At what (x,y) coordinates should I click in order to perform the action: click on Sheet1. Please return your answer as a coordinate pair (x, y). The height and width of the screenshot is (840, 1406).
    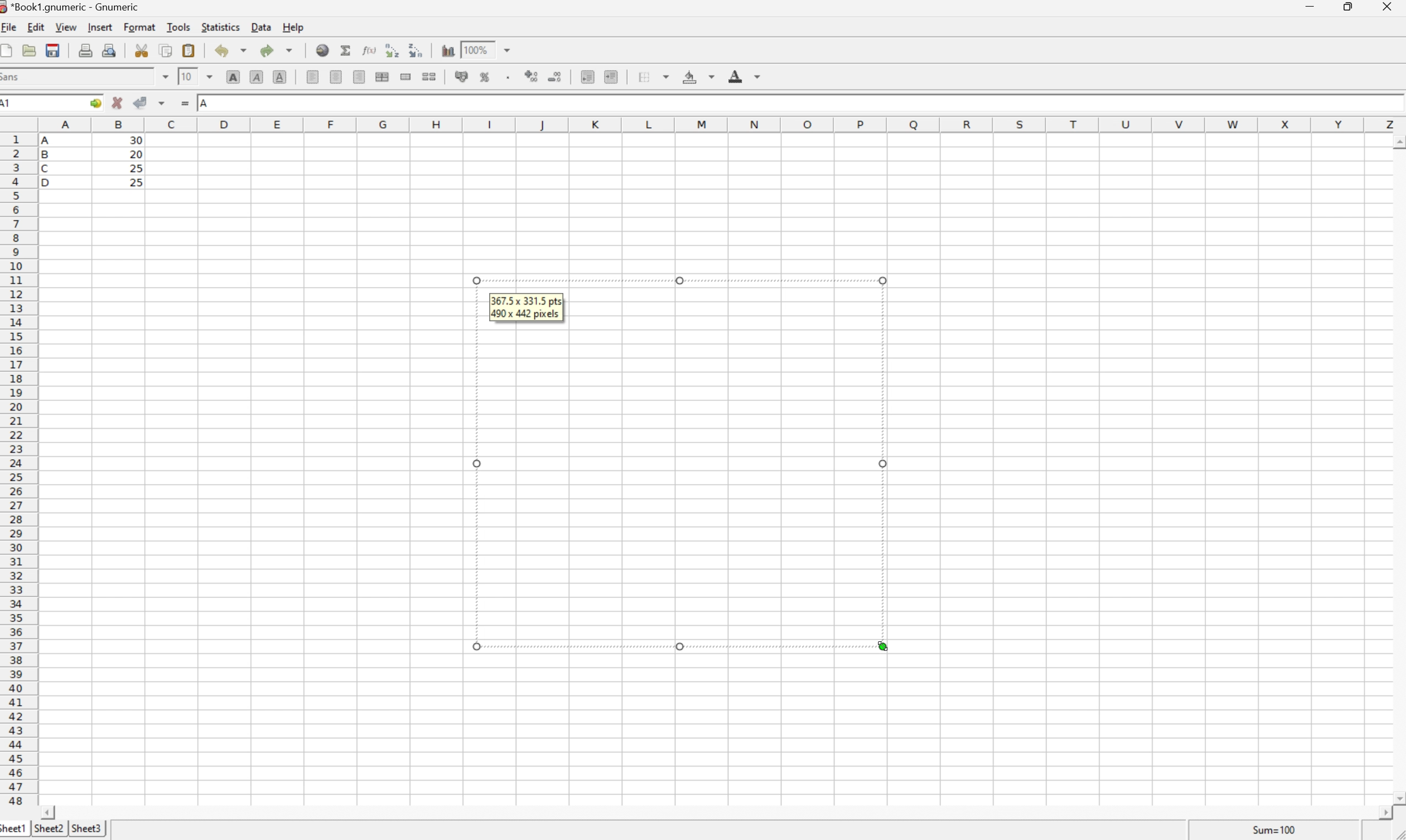
    Looking at the image, I should click on (14, 830).